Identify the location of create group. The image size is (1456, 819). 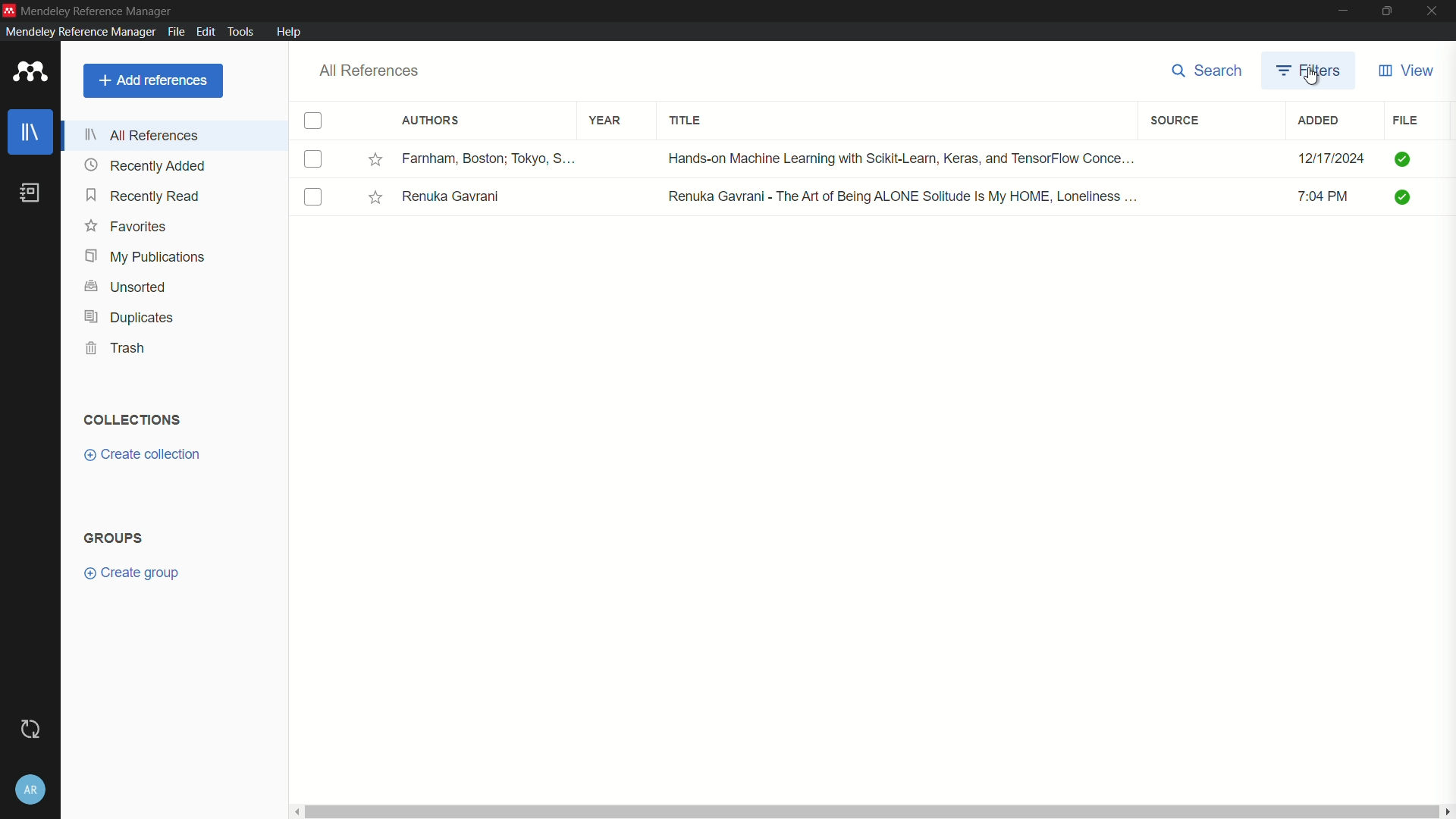
(130, 573).